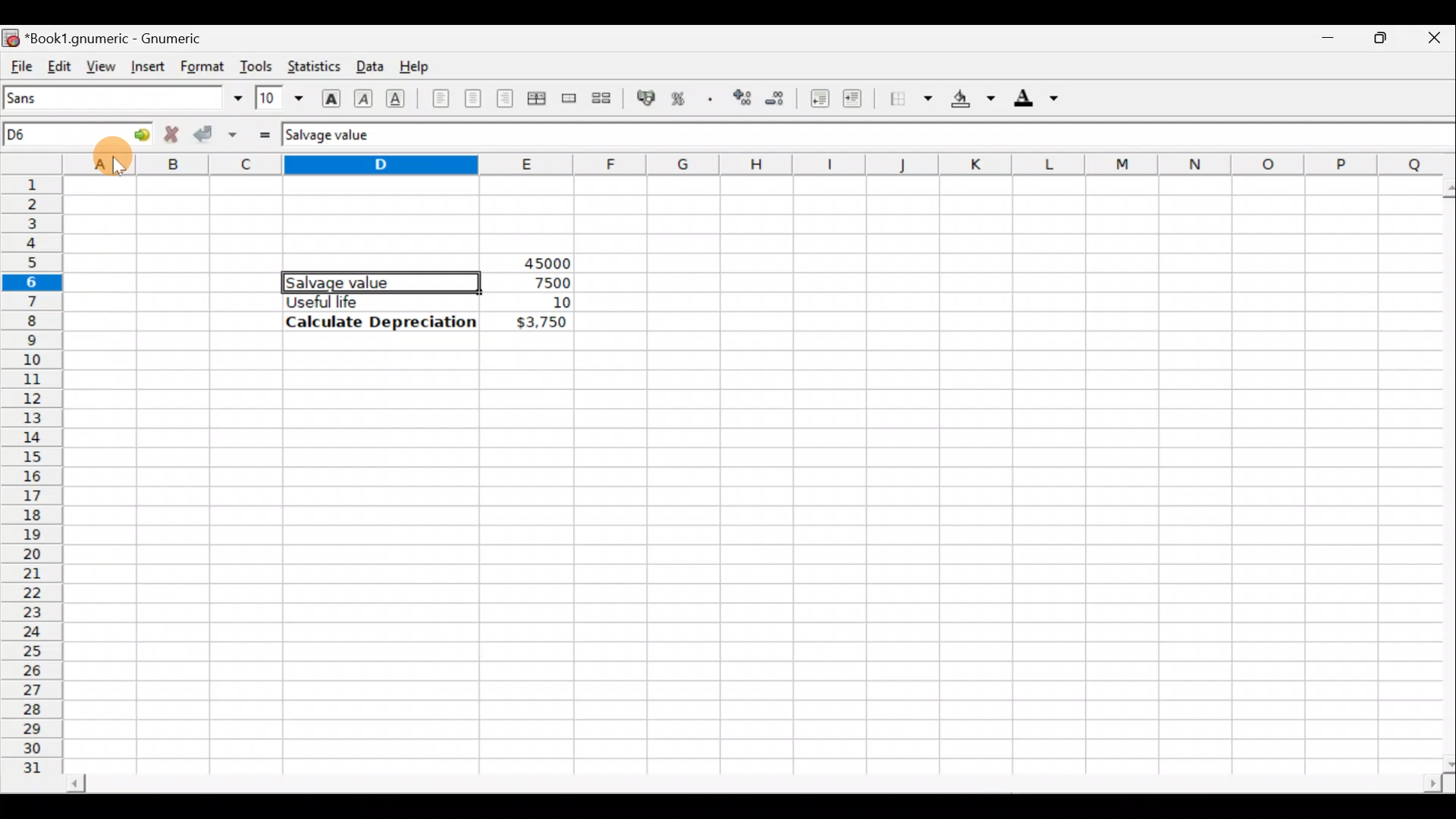 This screenshot has width=1456, height=819. What do you see at coordinates (384, 301) in the screenshot?
I see `Useful life` at bounding box center [384, 301].